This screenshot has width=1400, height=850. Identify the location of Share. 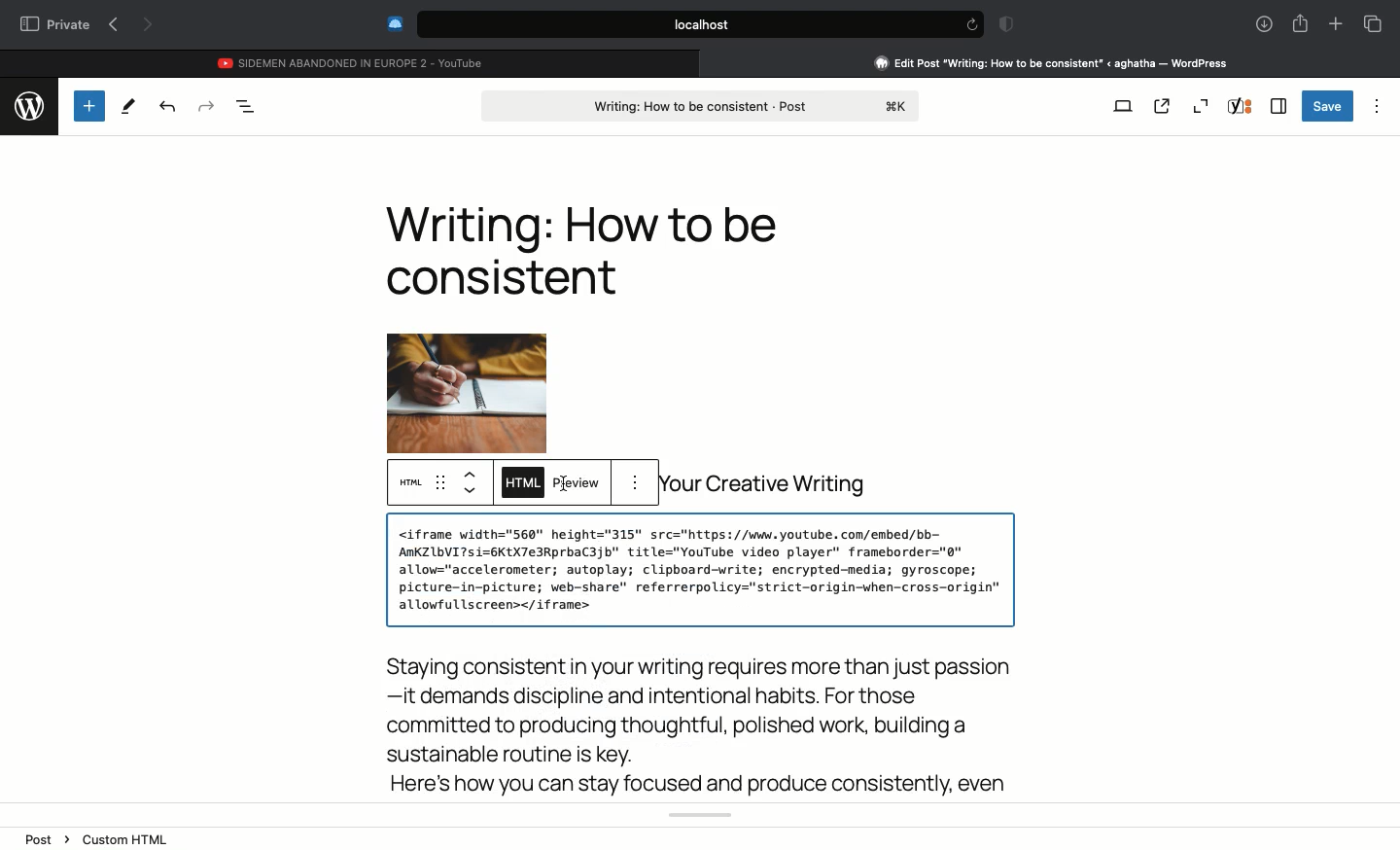
(1300, 21).